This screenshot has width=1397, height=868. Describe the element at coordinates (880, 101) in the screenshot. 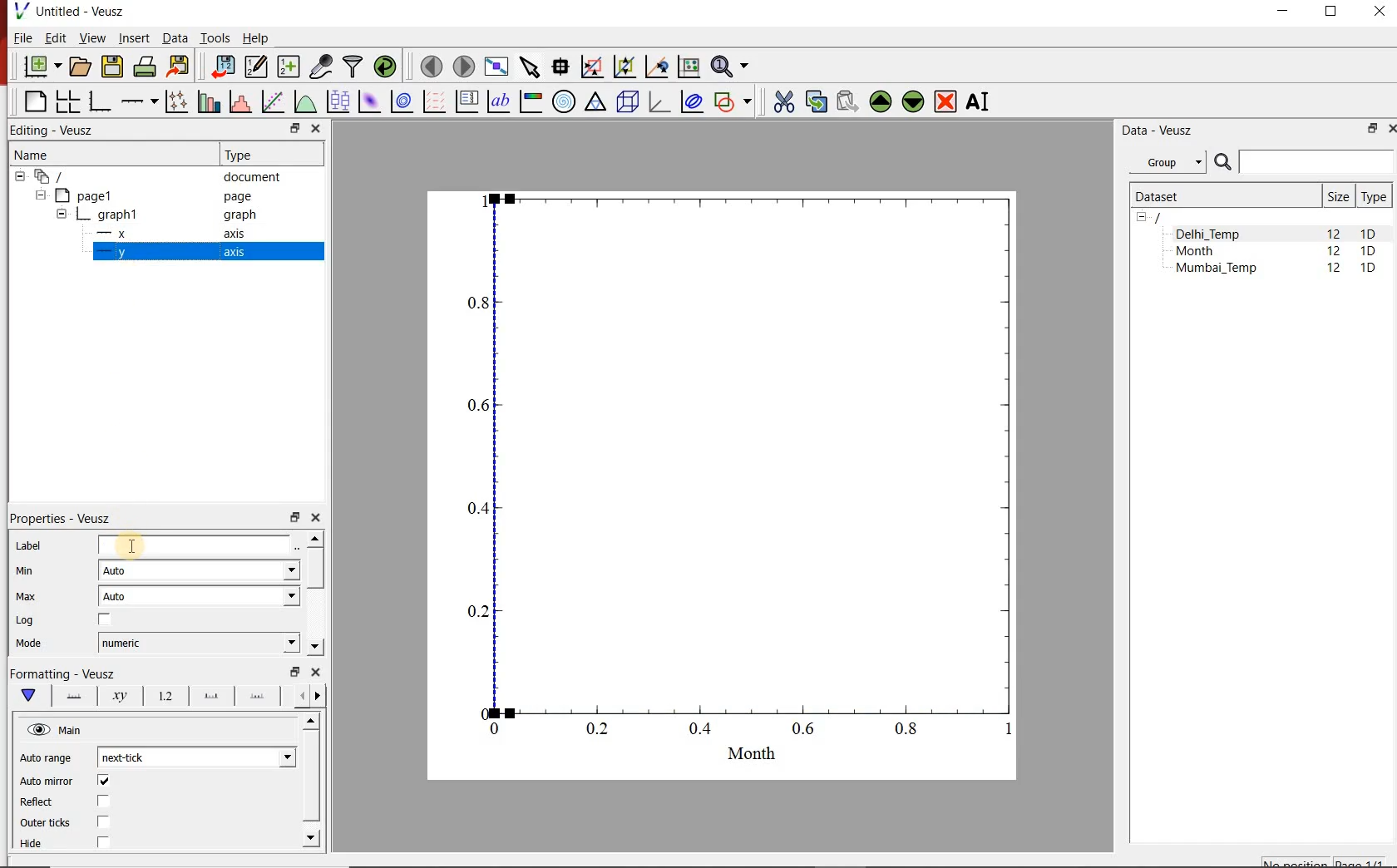

I see `move the selected widget up` at that location.